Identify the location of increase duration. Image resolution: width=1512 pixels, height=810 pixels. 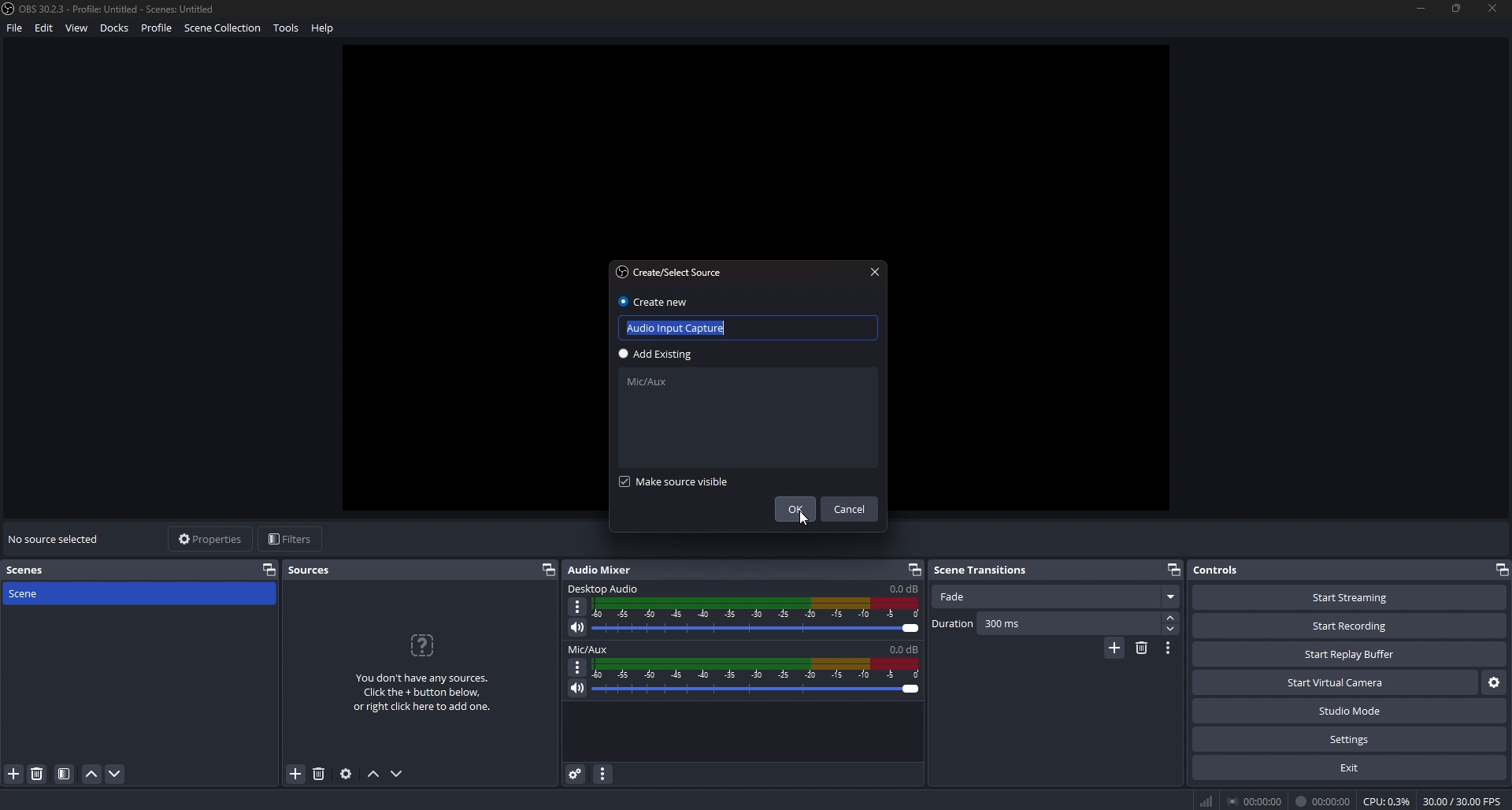
(1173, 616).